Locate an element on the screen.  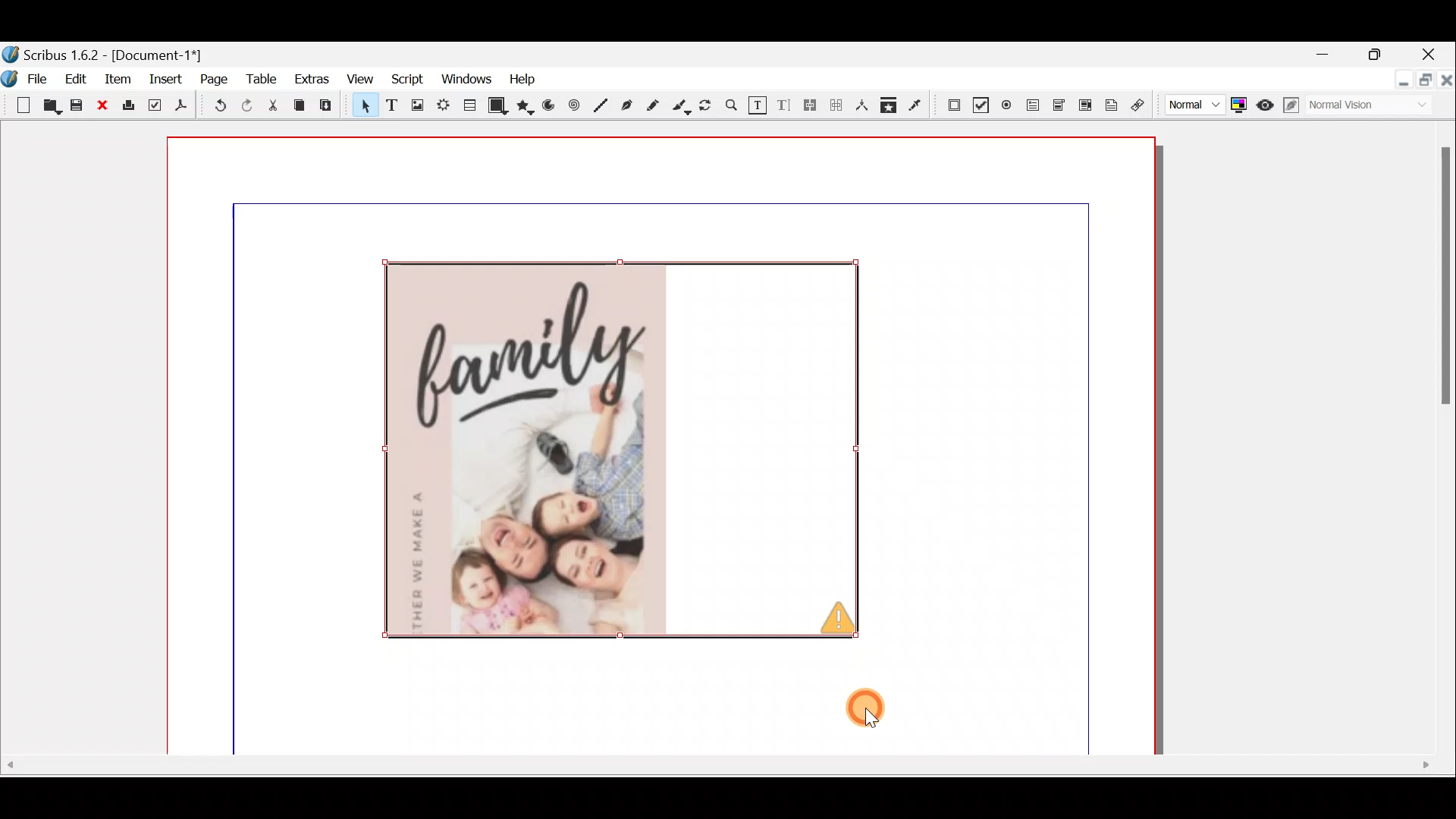
Cut is located at coordinates (272, 108).